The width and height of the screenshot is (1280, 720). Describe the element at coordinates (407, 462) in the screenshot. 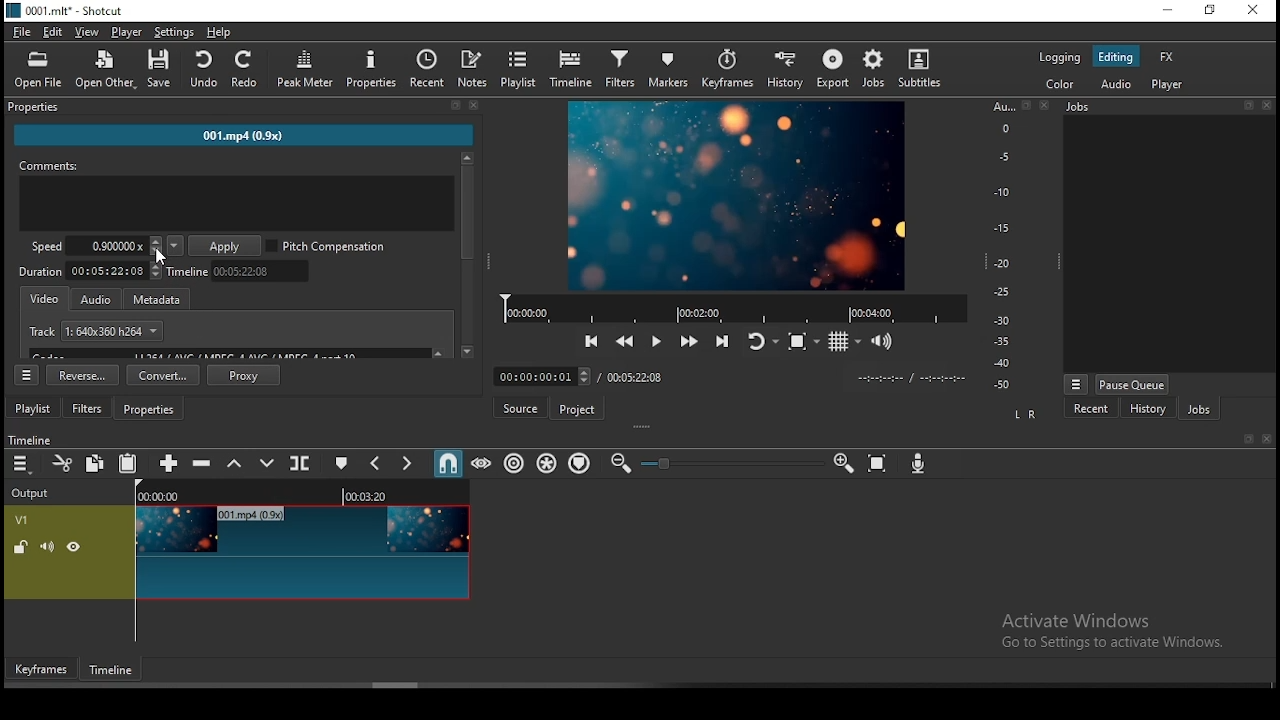

I see `next marker` at that location.